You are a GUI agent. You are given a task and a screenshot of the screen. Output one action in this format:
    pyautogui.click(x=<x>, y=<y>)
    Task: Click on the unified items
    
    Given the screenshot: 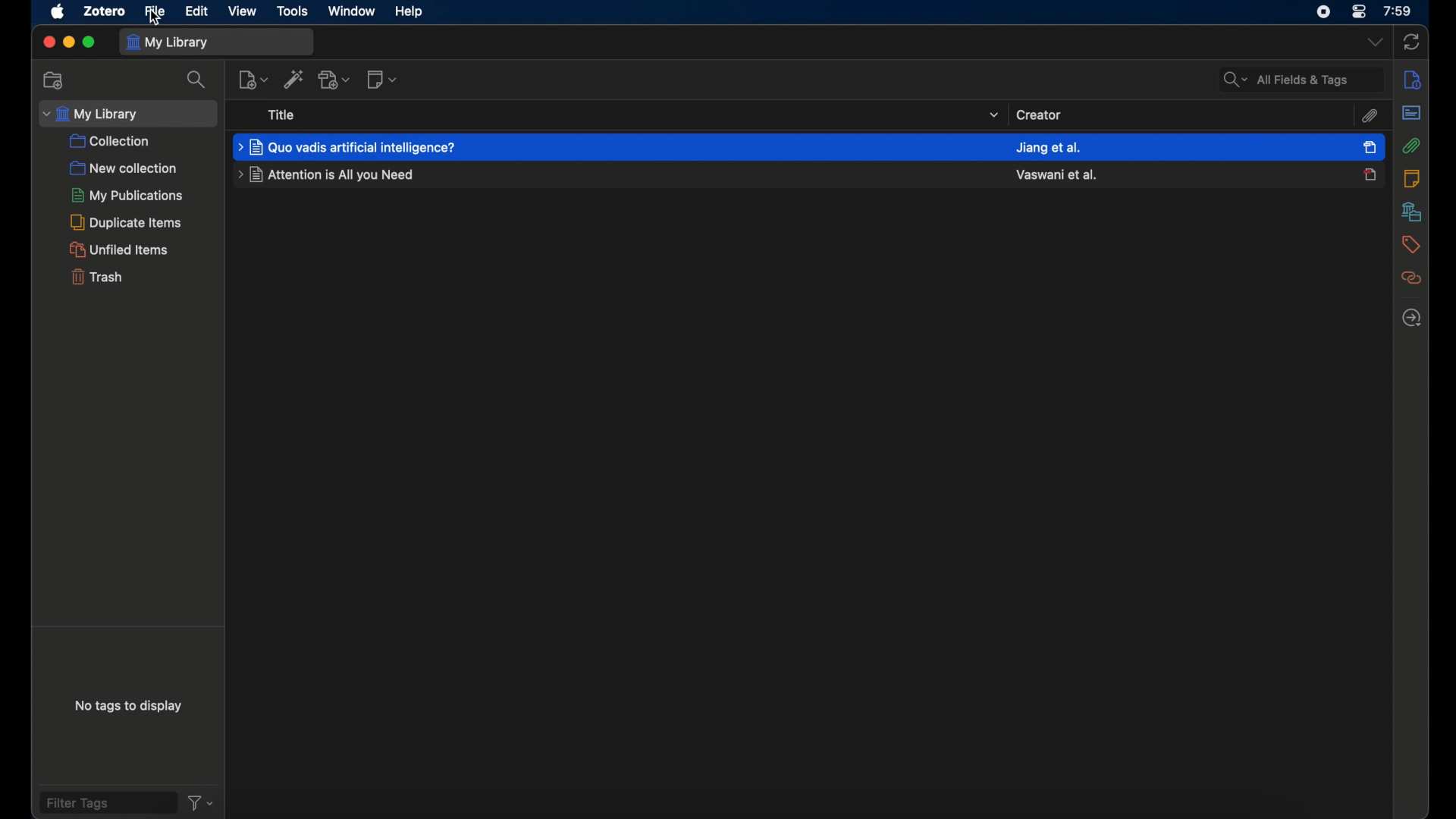 What is the action you would take?
    pyautogui.click(x=118, y=249)
    